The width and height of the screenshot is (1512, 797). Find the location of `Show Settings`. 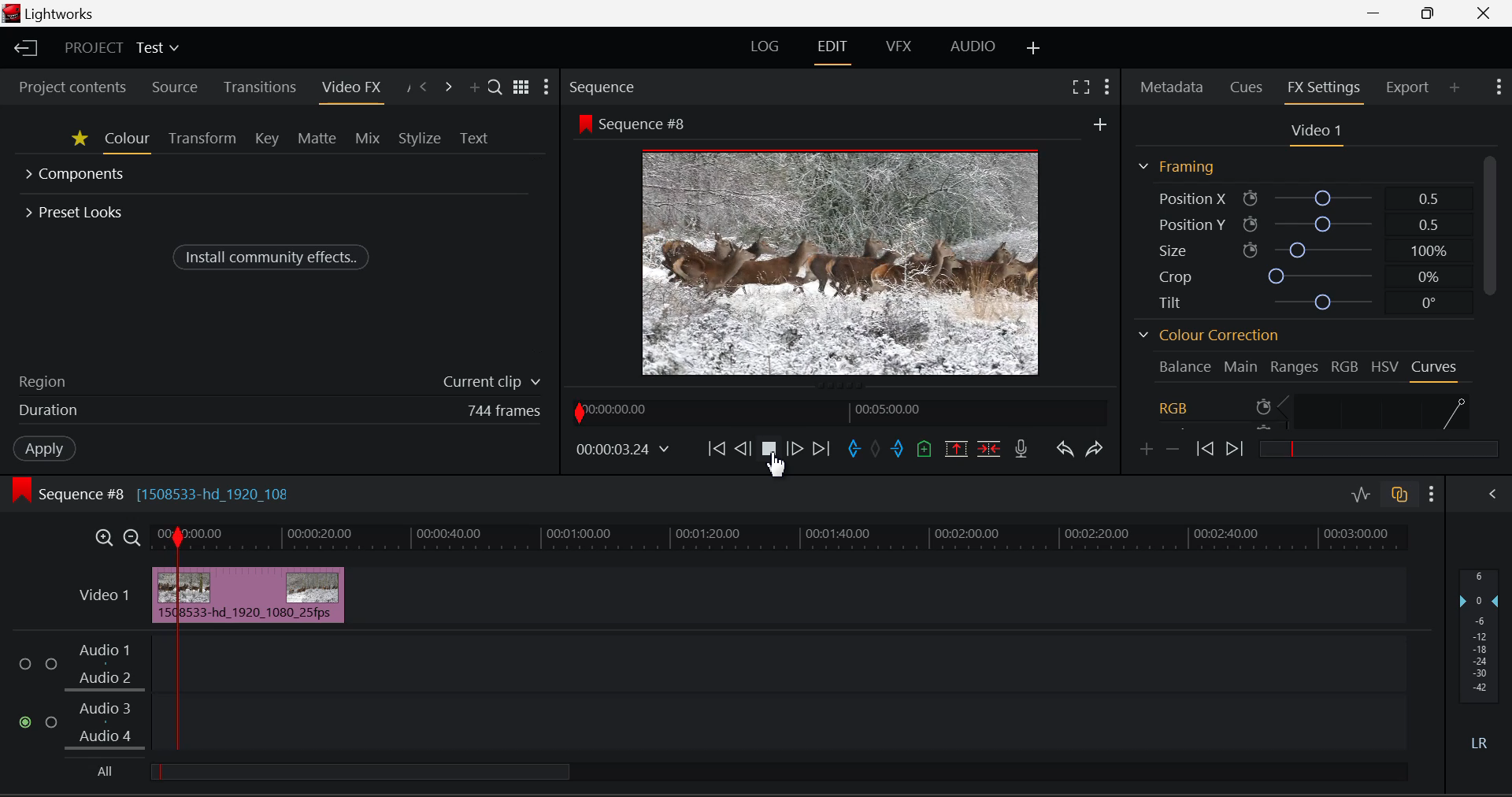

Show Settings is located at coordinates (548, 87).